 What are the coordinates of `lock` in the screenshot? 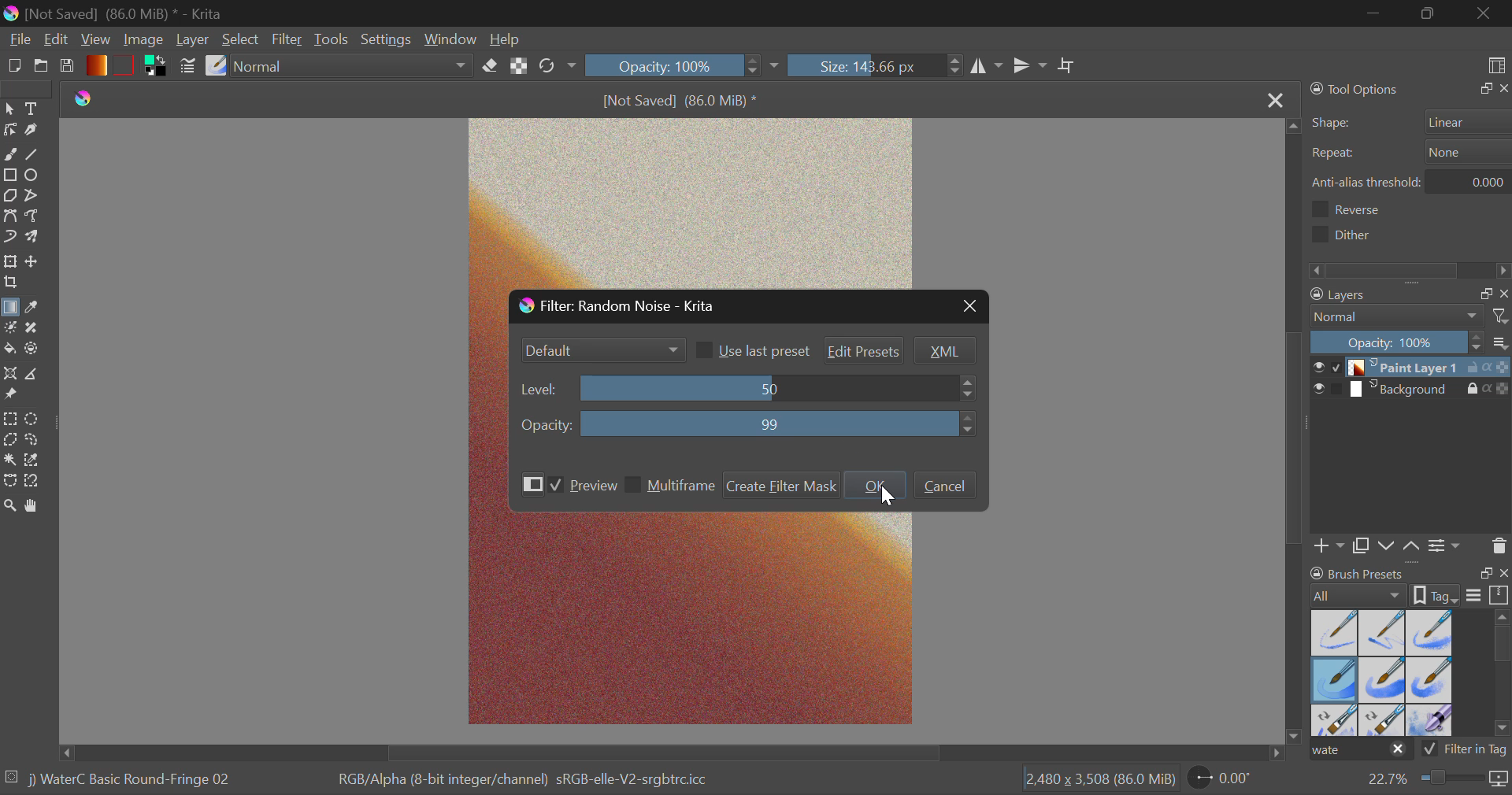 It's located at (1475, 390).